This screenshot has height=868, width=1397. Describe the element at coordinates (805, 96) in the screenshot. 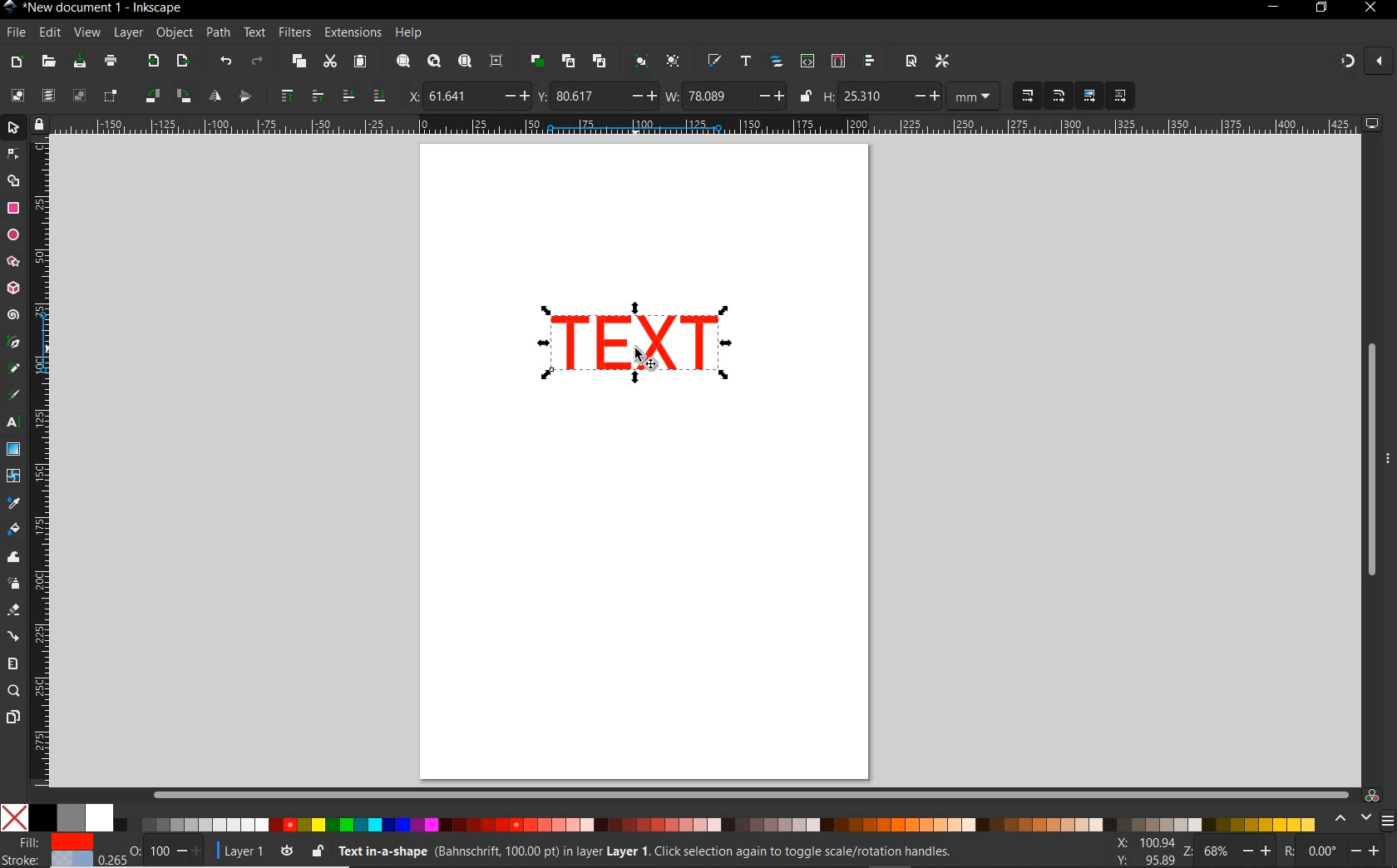

I see `lock/unlock to change width or height` at that location.